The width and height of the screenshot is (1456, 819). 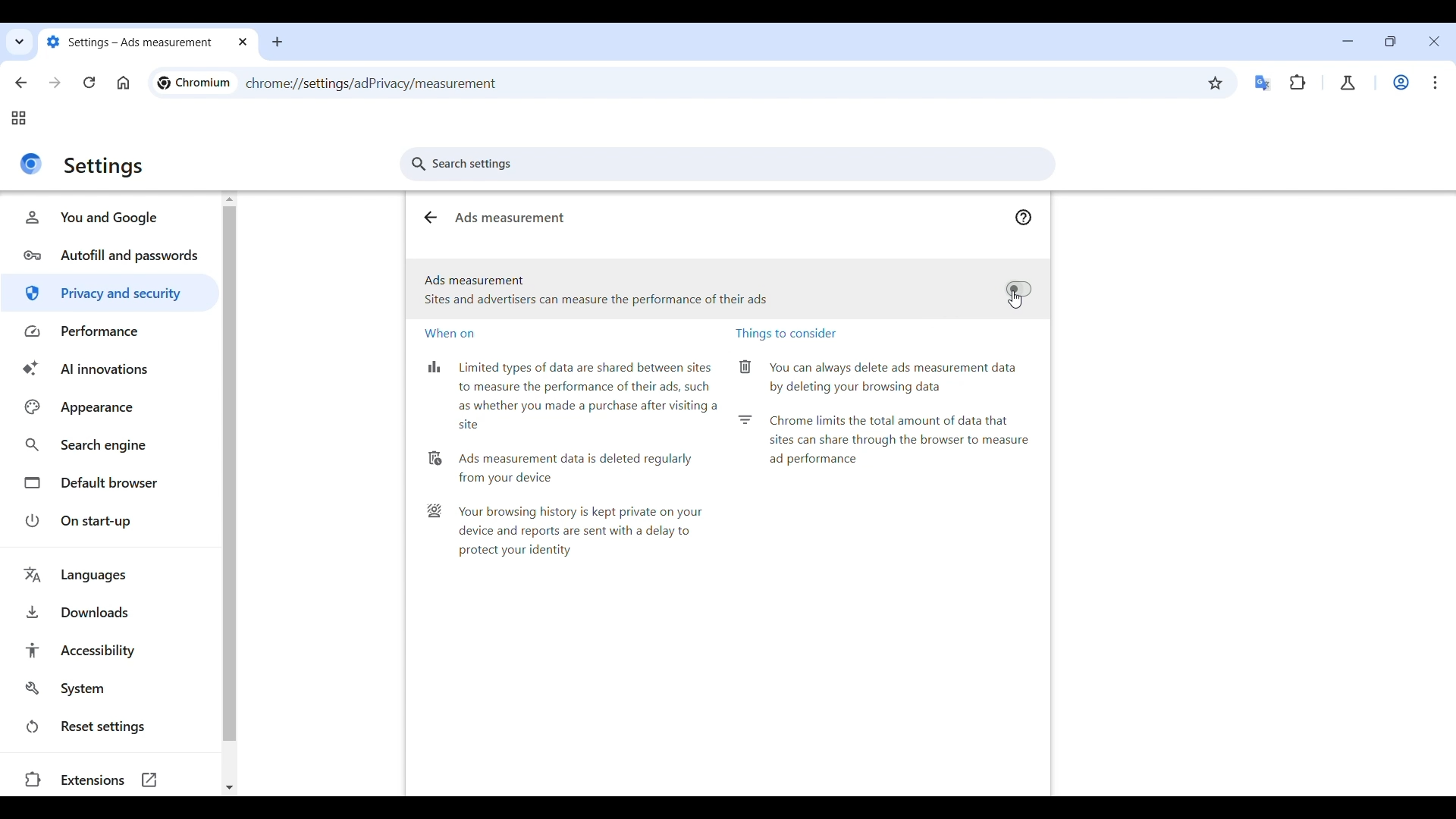 I want to click on Downloads, so click(x=111, y=612).